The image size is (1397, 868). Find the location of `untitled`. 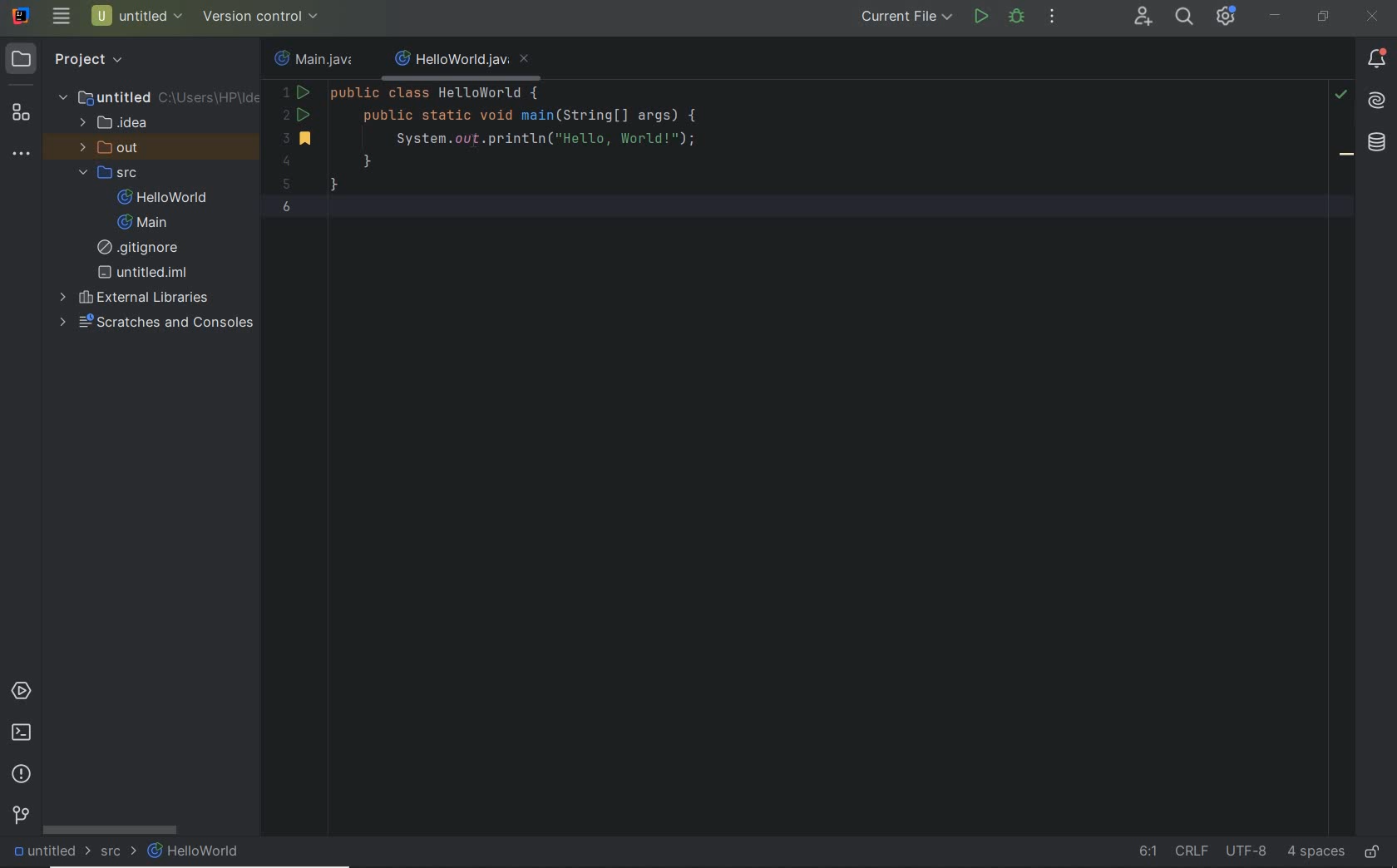

untitled is located at coordinates (159, 96).